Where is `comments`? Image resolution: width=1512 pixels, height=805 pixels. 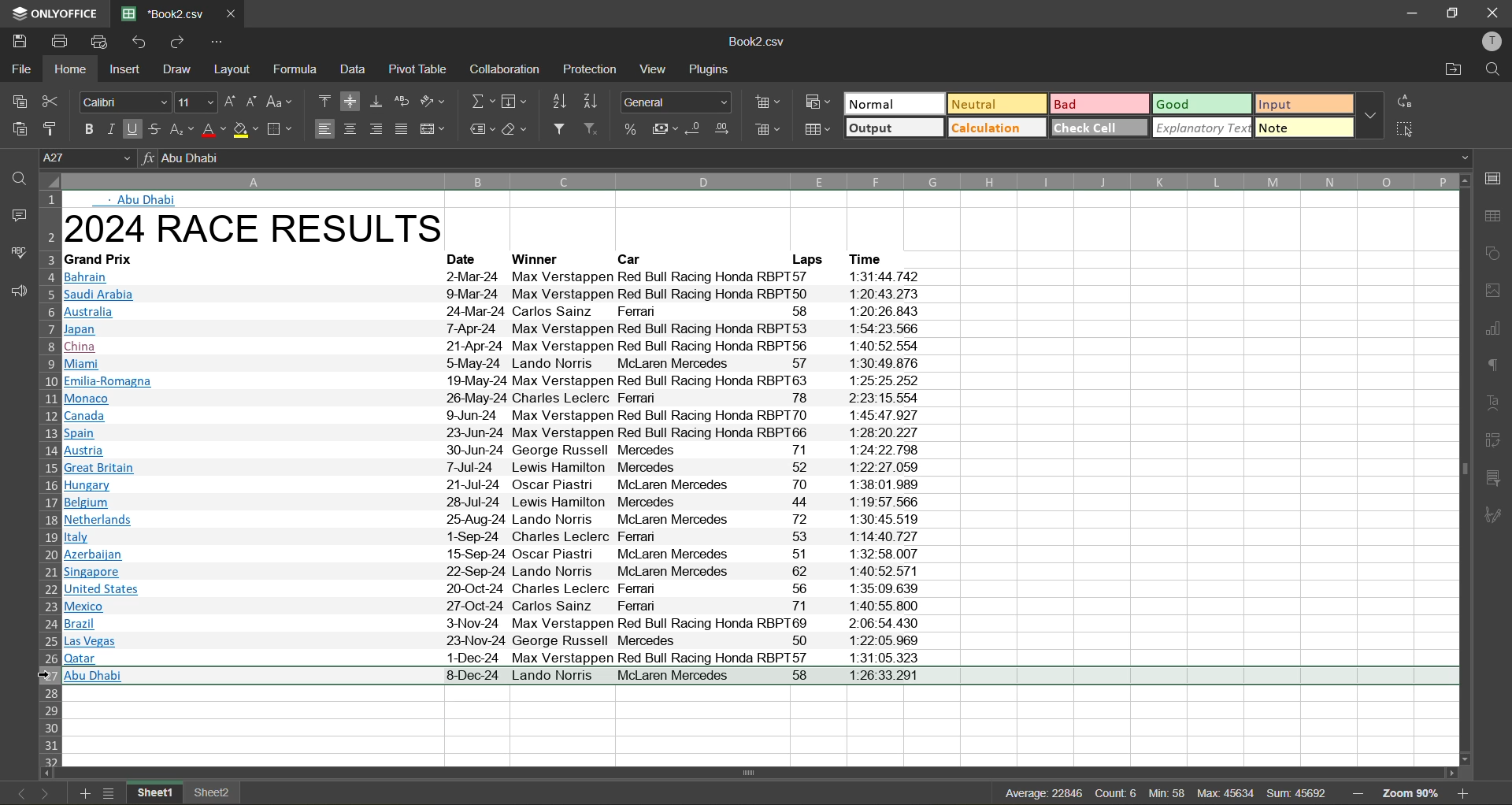 comments is located at coordinates (16, 213).